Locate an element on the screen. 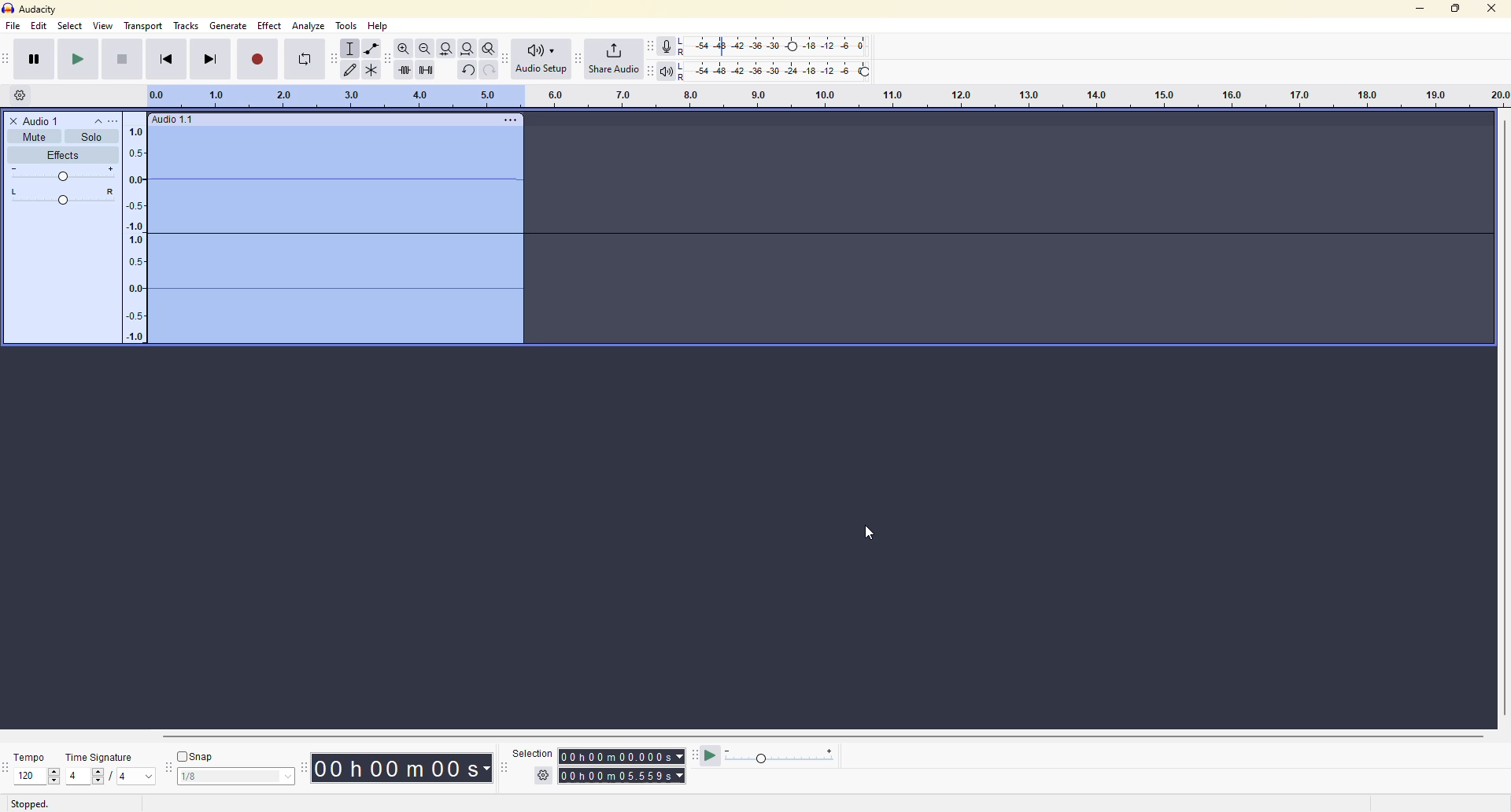 Image resolution: width=1511 pixels, height=812 pixels. trim audio outside selection is located at coordinates (401, 68).